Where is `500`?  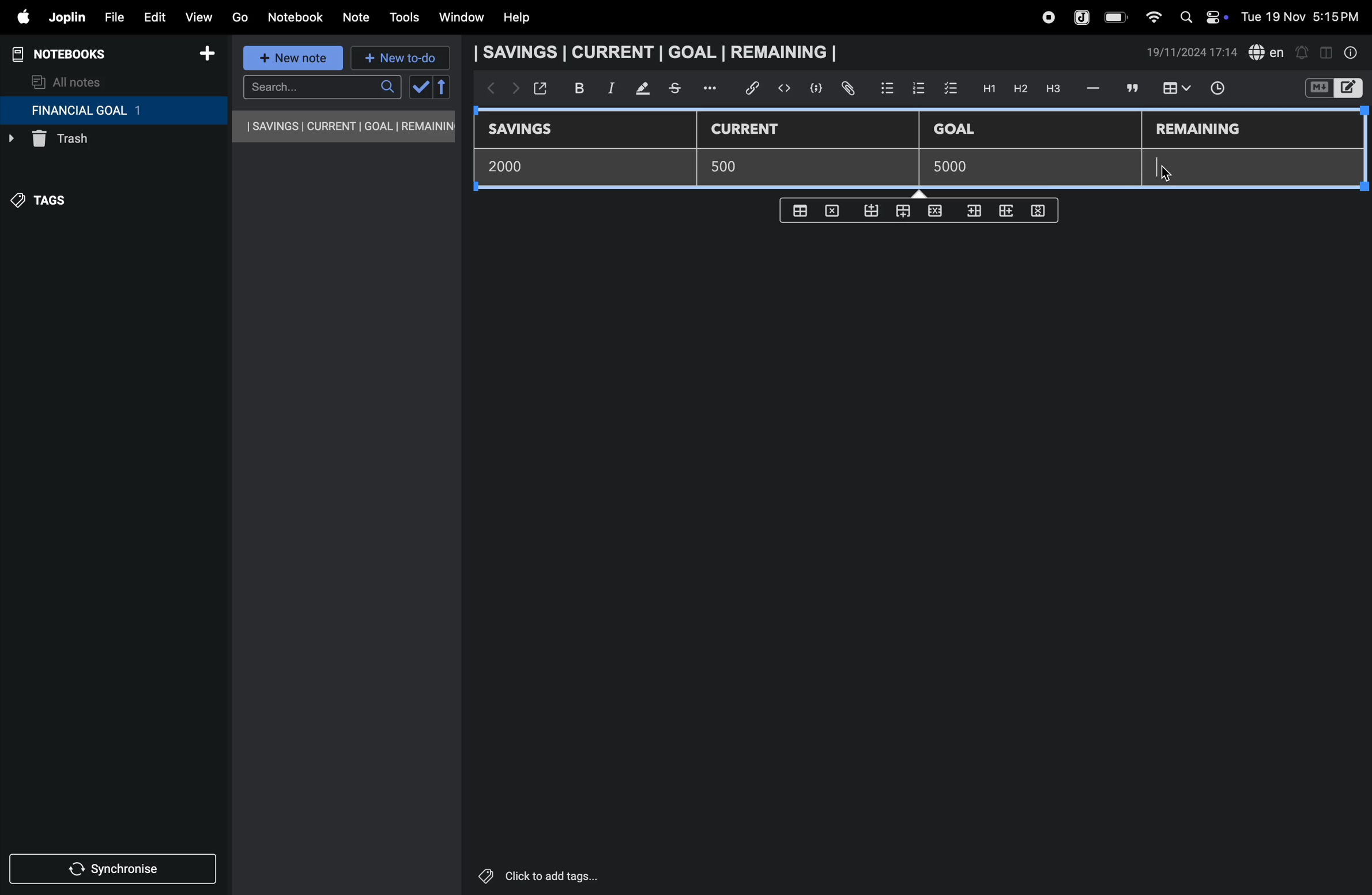
500 is located at coordinates (731, 167).